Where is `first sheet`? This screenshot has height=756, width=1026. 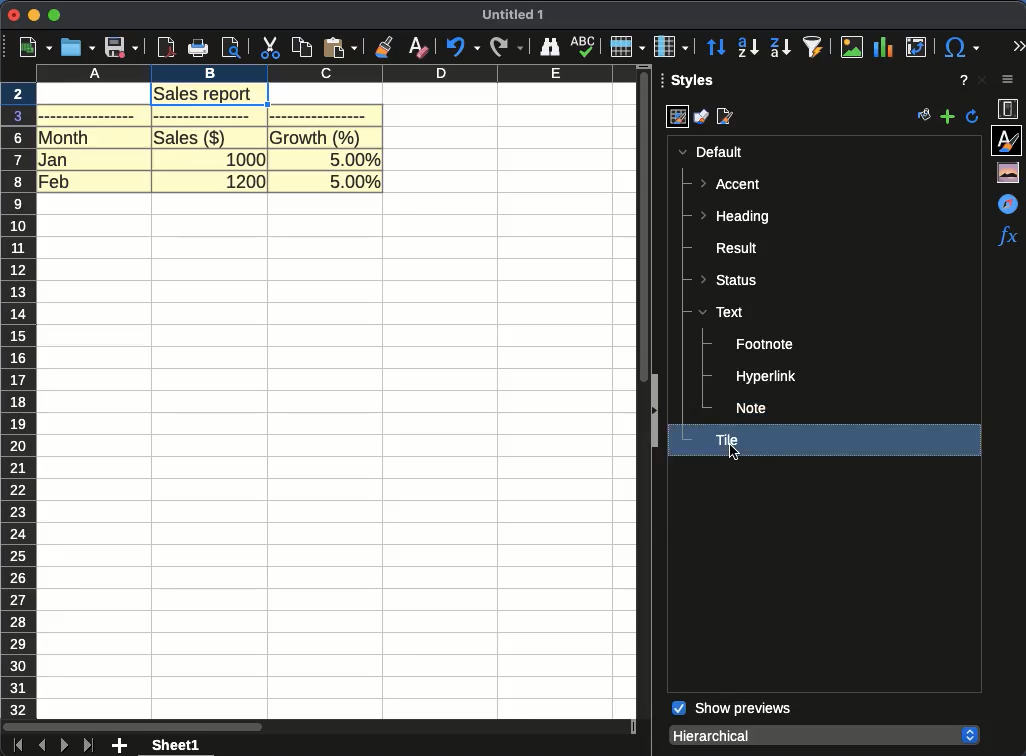 first sheet is located at coordinates (16, 746).